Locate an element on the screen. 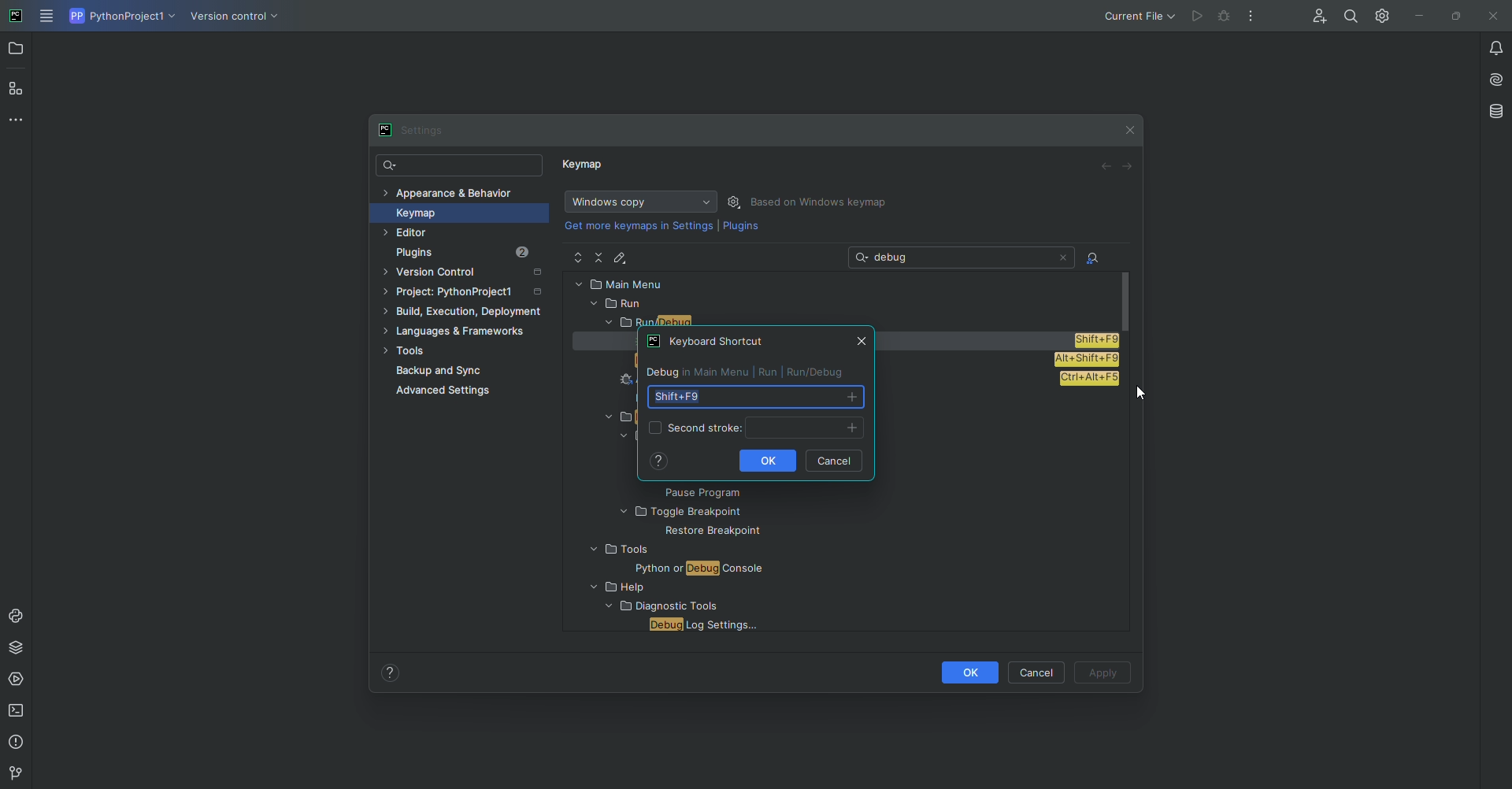  Windows Copy is located at coordinates (638, 202).